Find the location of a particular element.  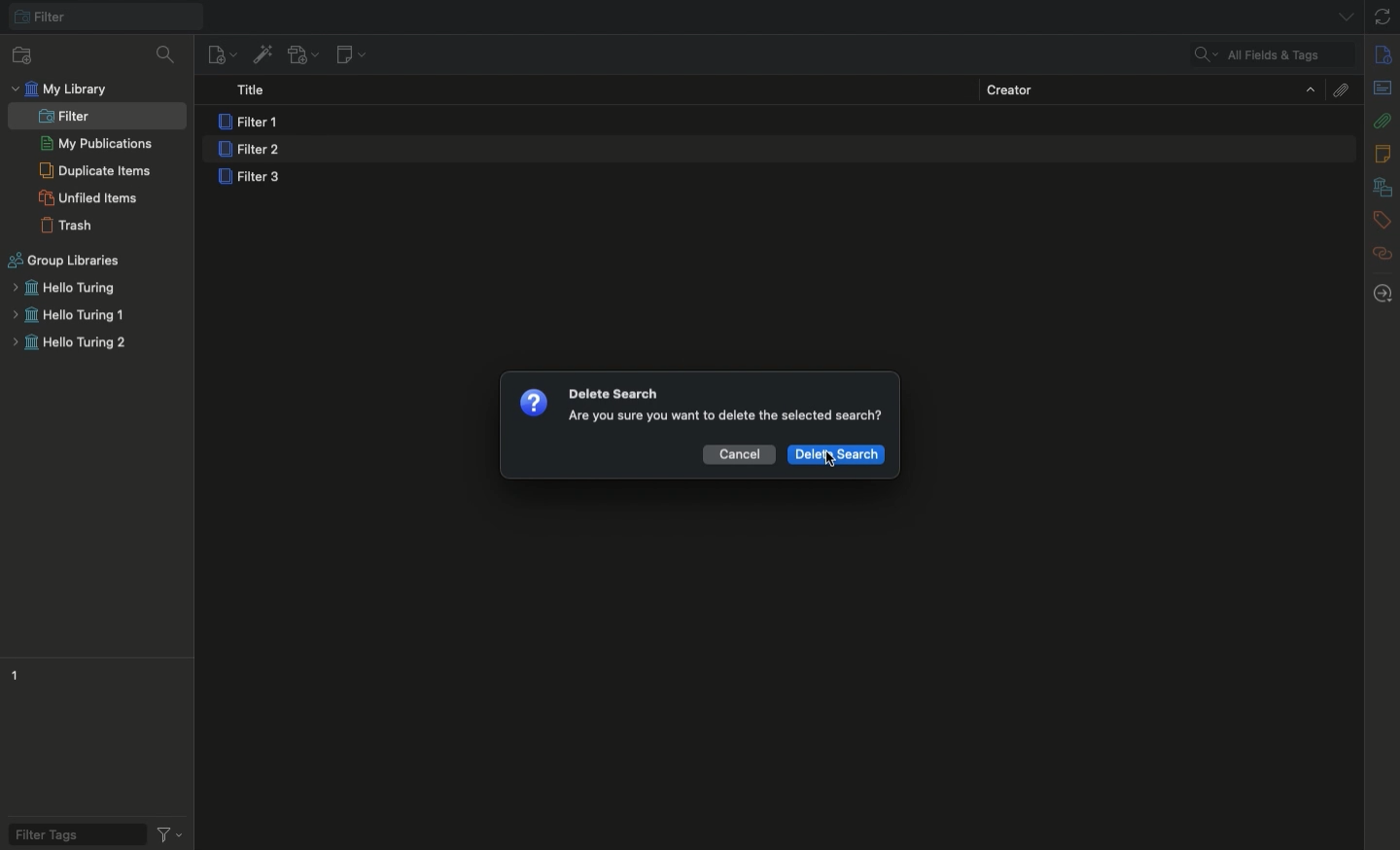

New note is located at coordinates (349, 55).